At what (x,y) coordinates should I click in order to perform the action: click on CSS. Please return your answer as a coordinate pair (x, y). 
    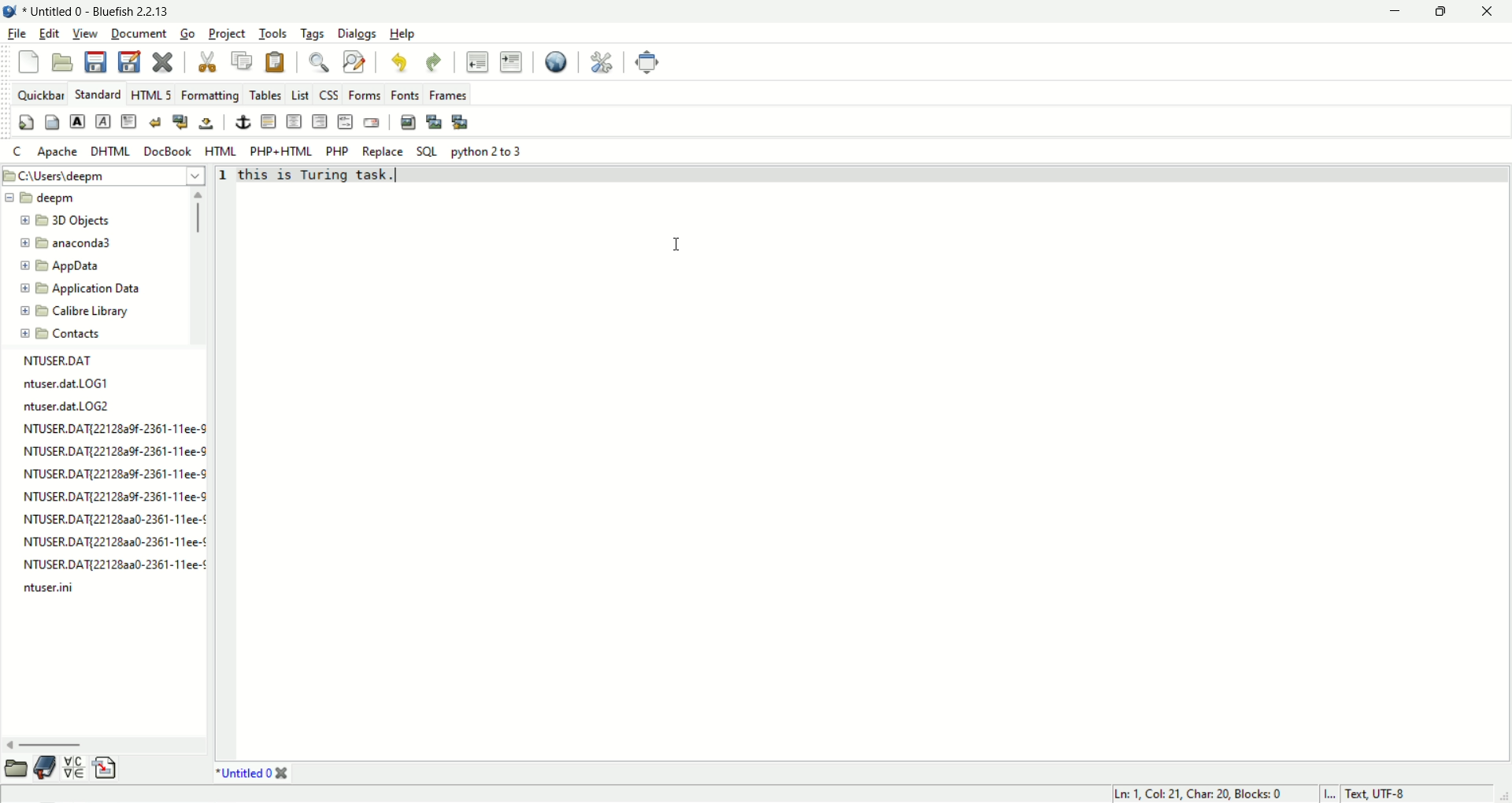
    Looking at the image, I should click on (330, 96).